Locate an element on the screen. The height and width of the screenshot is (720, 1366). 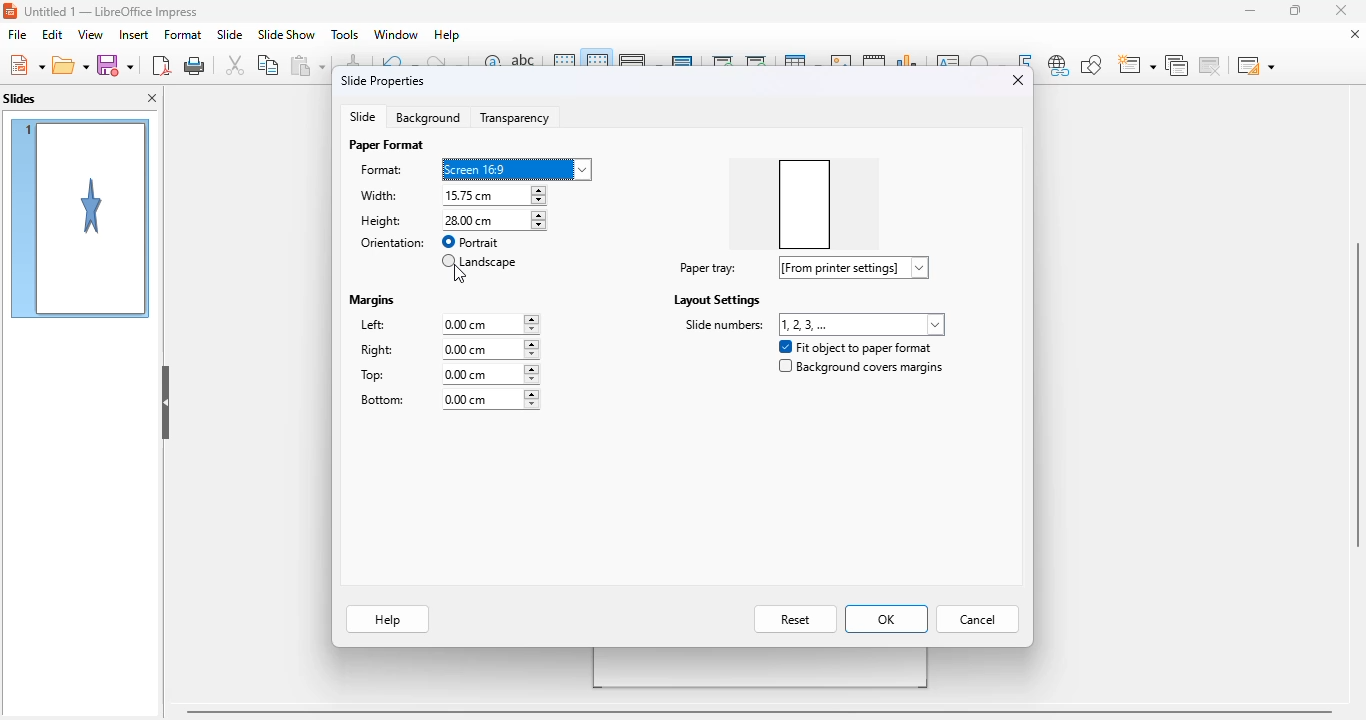
new is located at coordinates (26, 65).